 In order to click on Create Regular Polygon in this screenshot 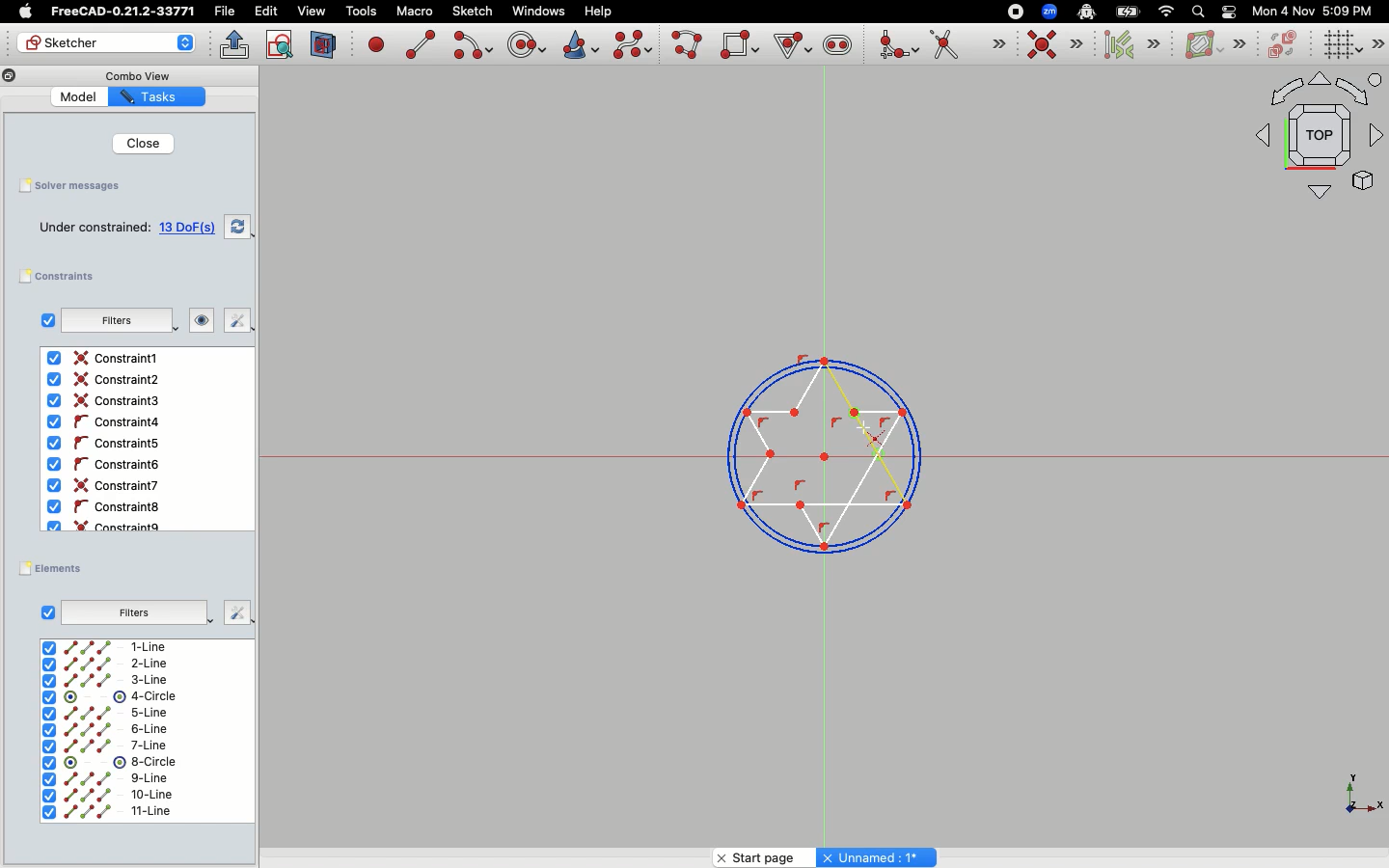, I will do `click(791, 46)`.